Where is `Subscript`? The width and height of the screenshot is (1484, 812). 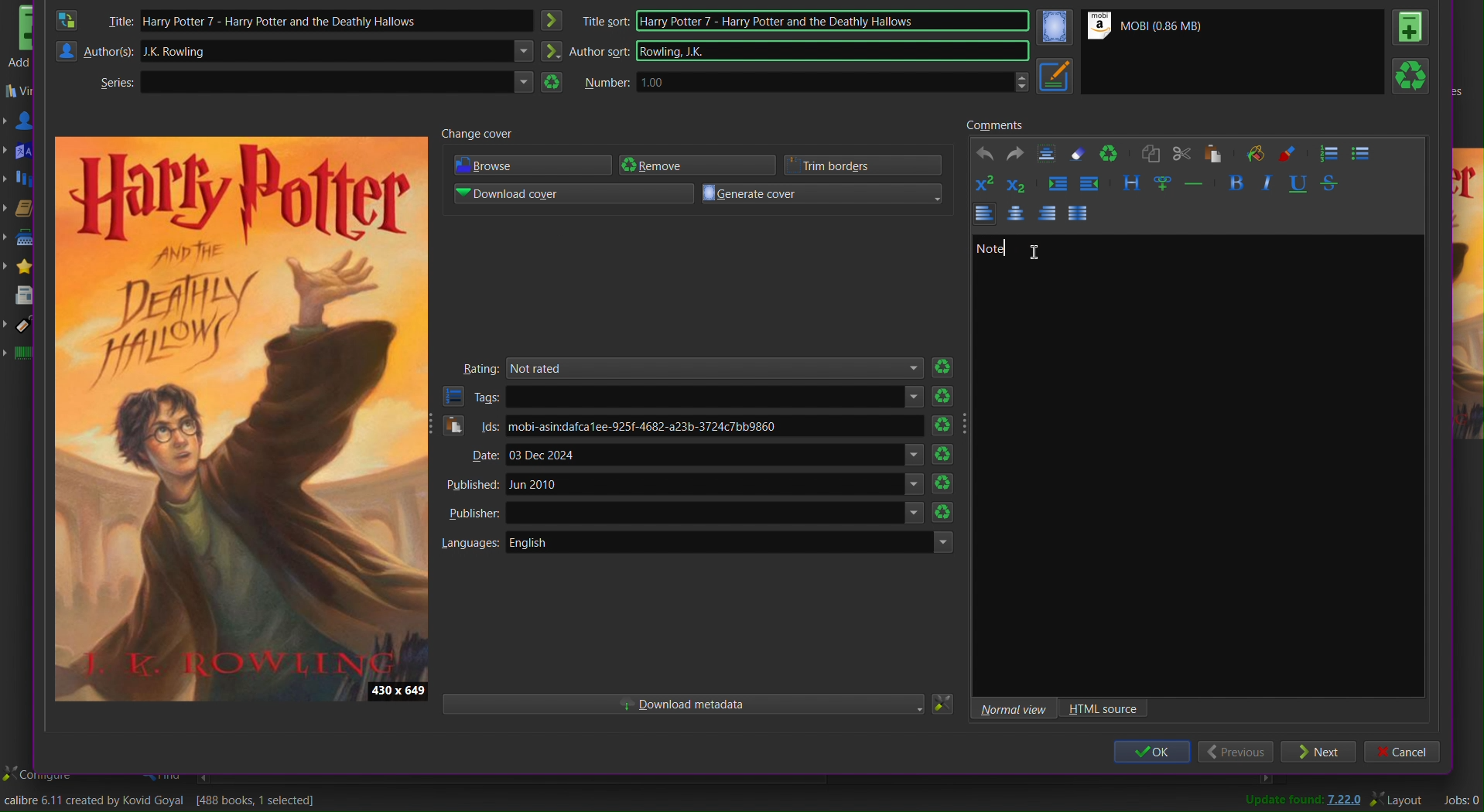
Subscript is located at coordinates (1017, 184).